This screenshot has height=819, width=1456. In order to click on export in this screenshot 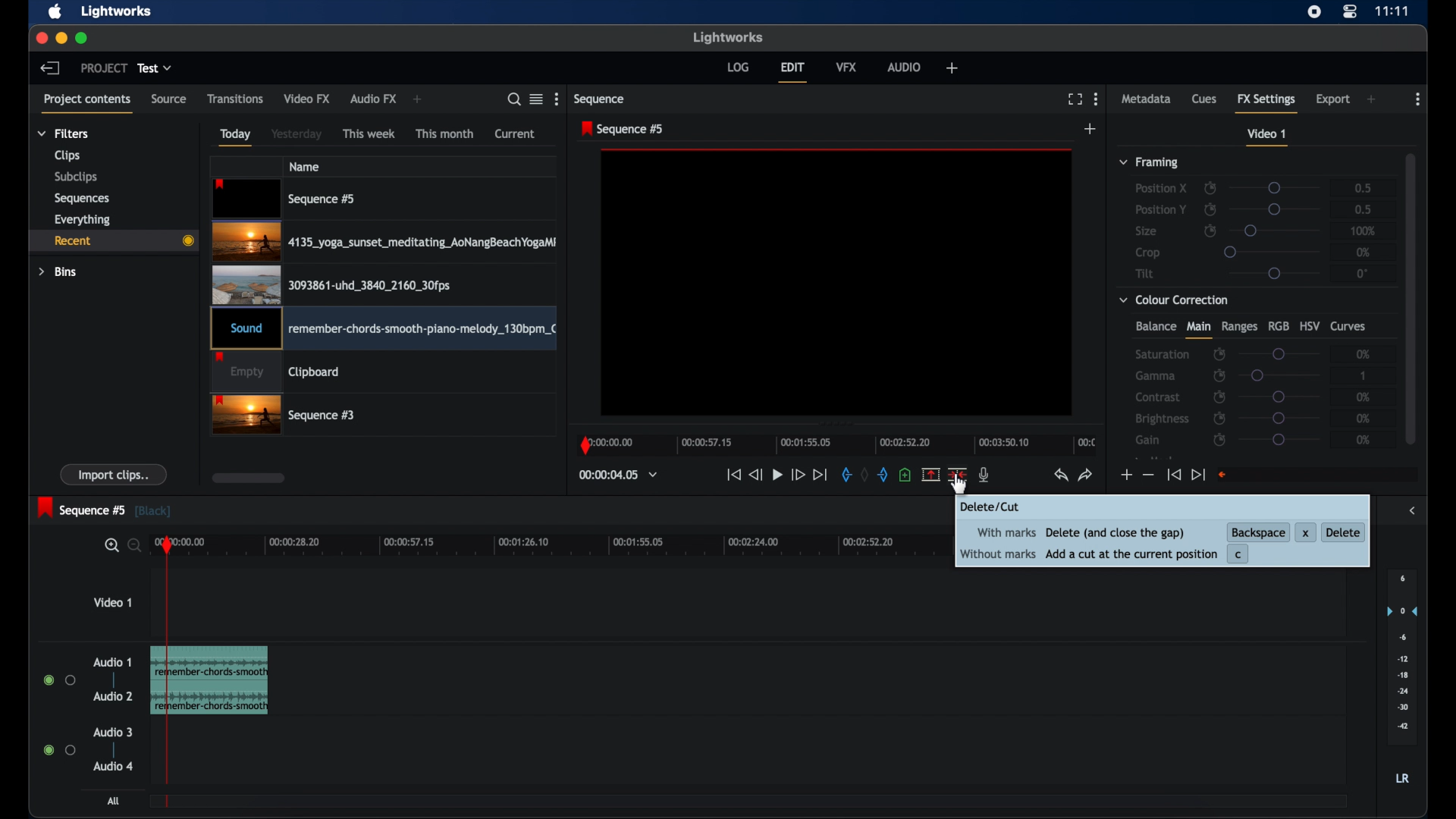, I will do `click(1332, 100)`.